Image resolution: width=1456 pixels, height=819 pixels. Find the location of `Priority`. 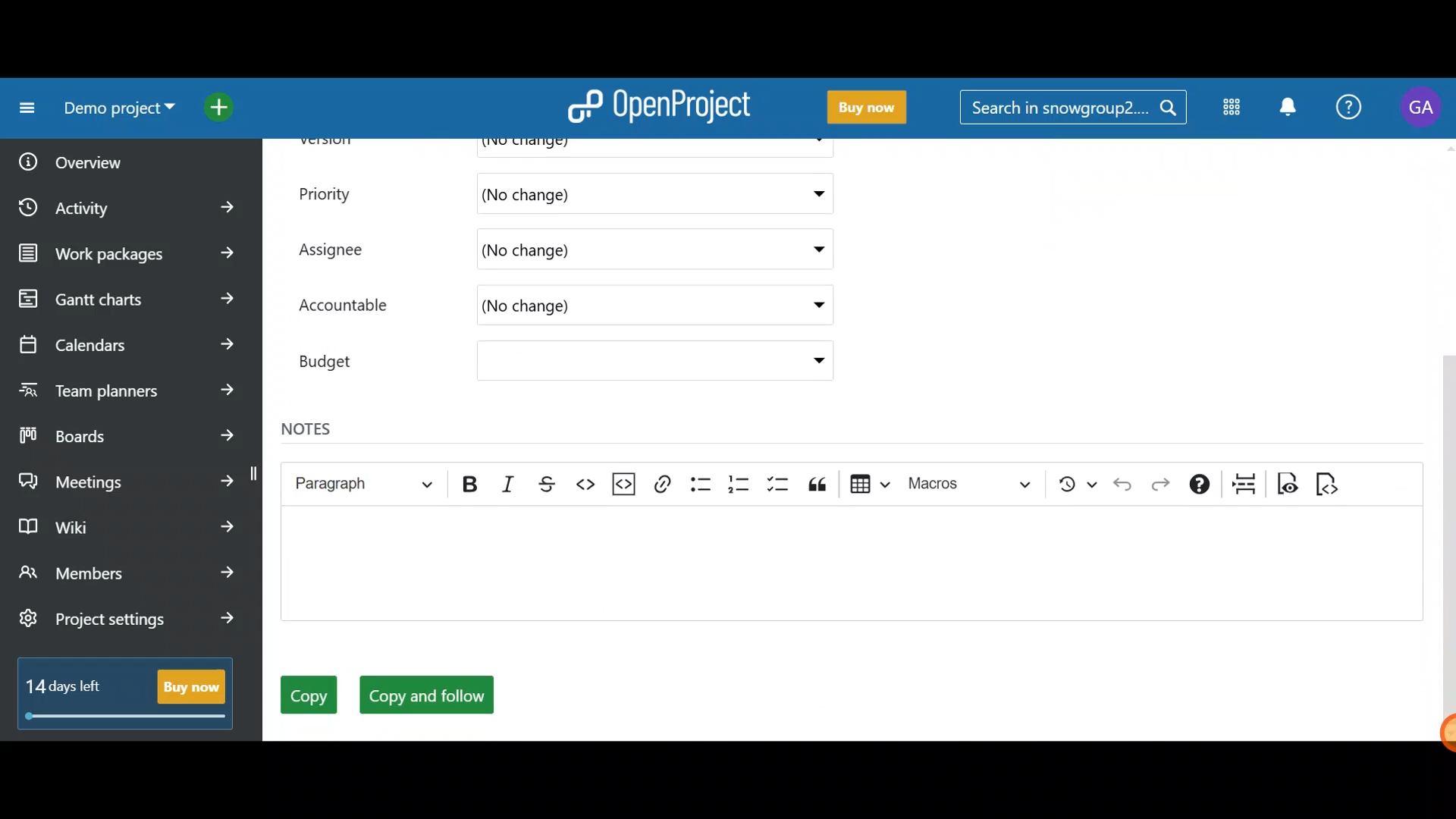

Priority is located at coordinates (336, 193).